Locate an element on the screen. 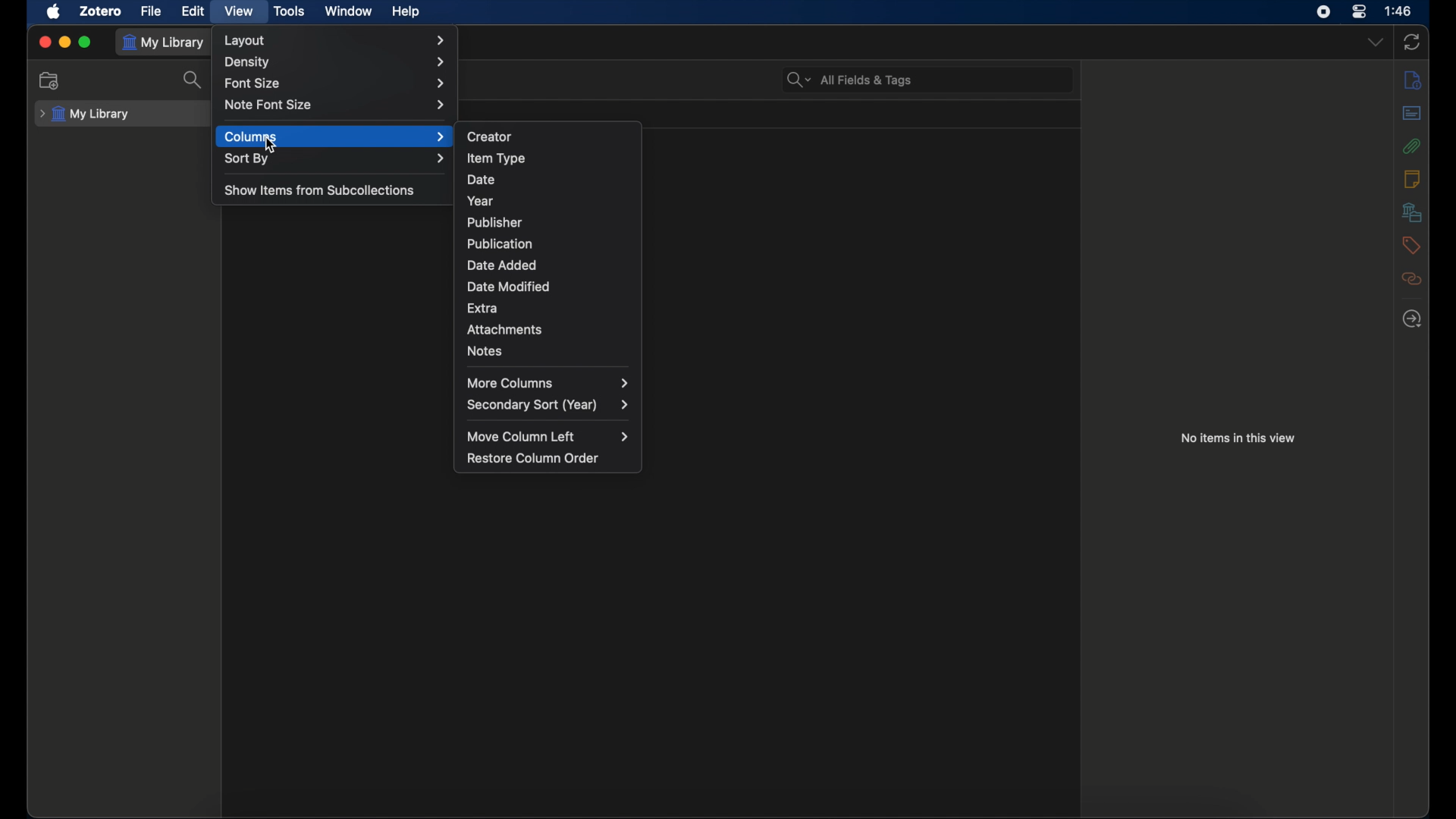 Image resolution: width=1456 pixels, height=819 pixels. move column left is located at coordinates (550, 437).